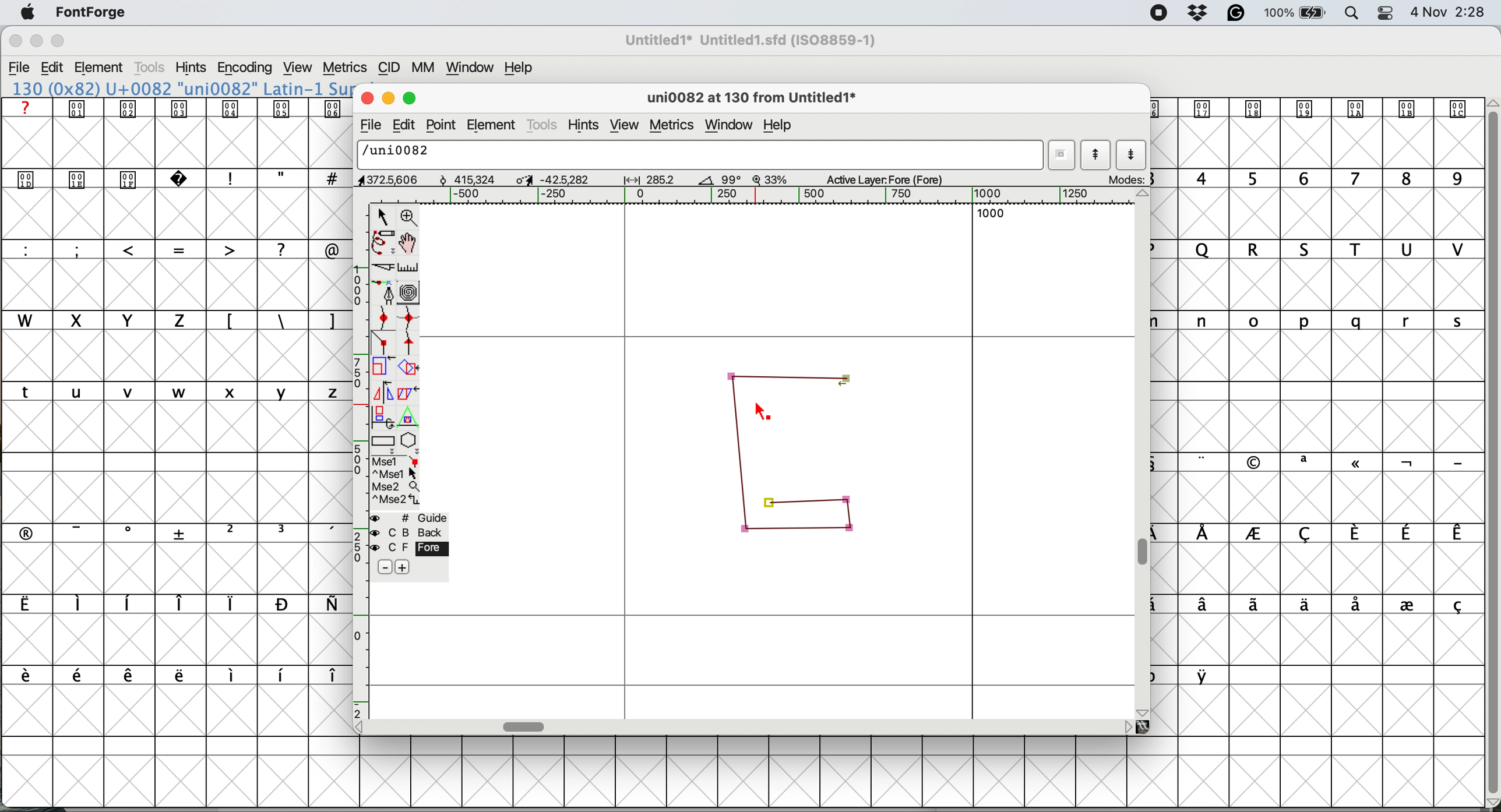 The width and height of the screenshot is (1501, 812). What do you see at coordinates (1325, 249) in the screenshot?
I see `uppercase letters` at bounding box center [1325, 249].